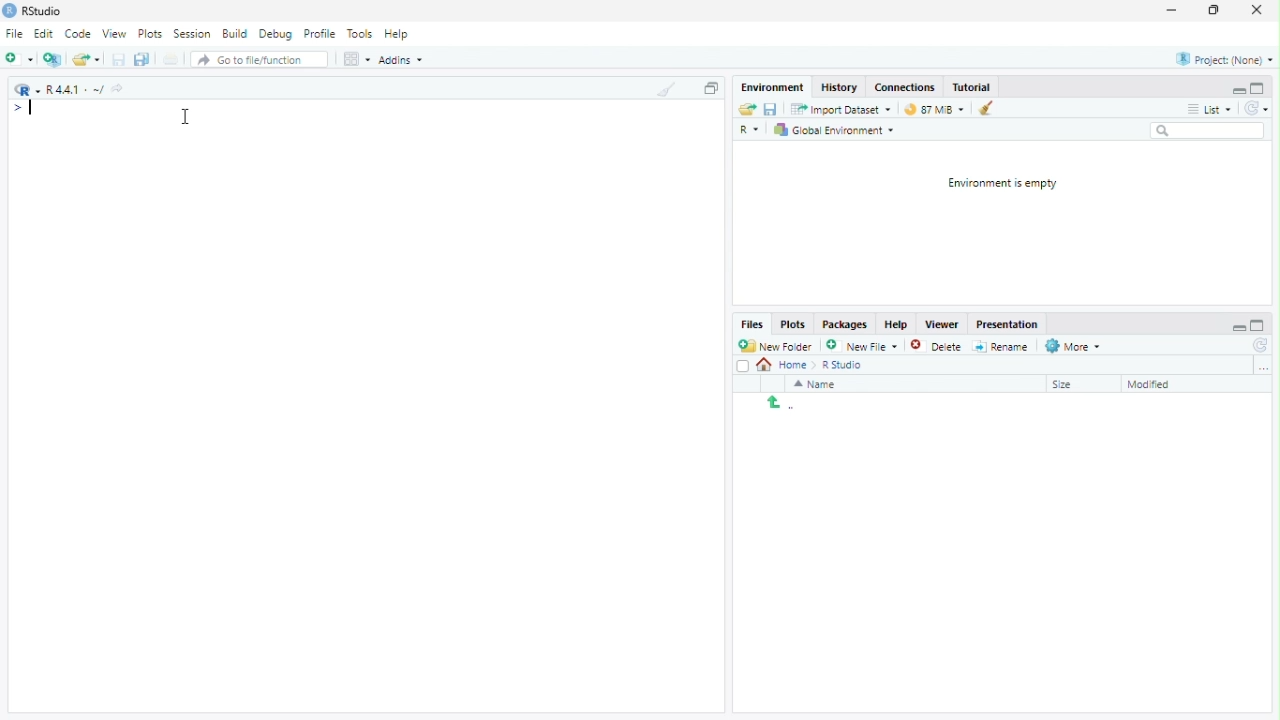 The height and width of the screenshot is (720, 1280). Describe the element at coordinates (397, 33) in the screenshot. I see `Help` at that location.